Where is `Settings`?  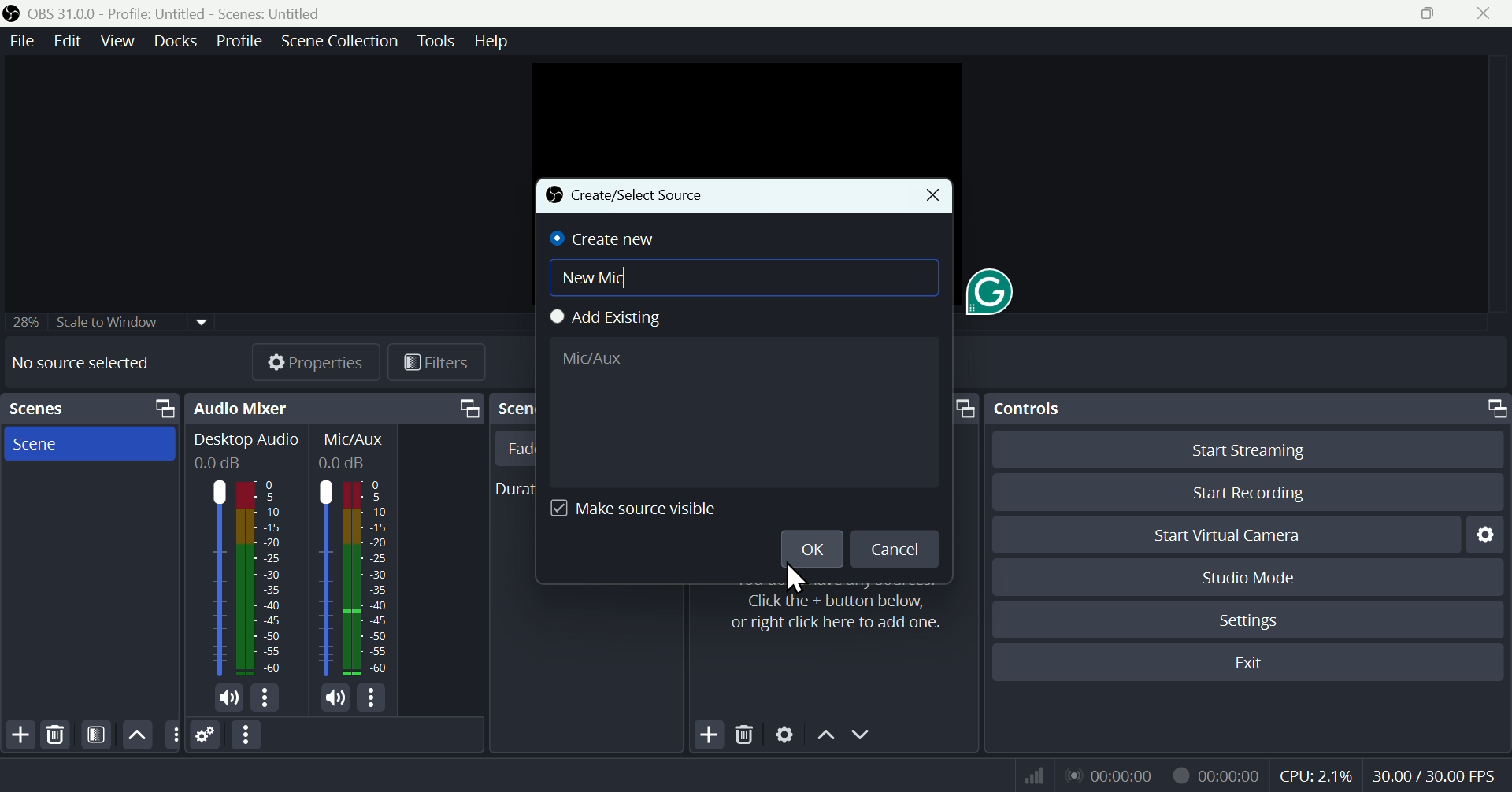 Settings is located at coordinates (1252, 620).